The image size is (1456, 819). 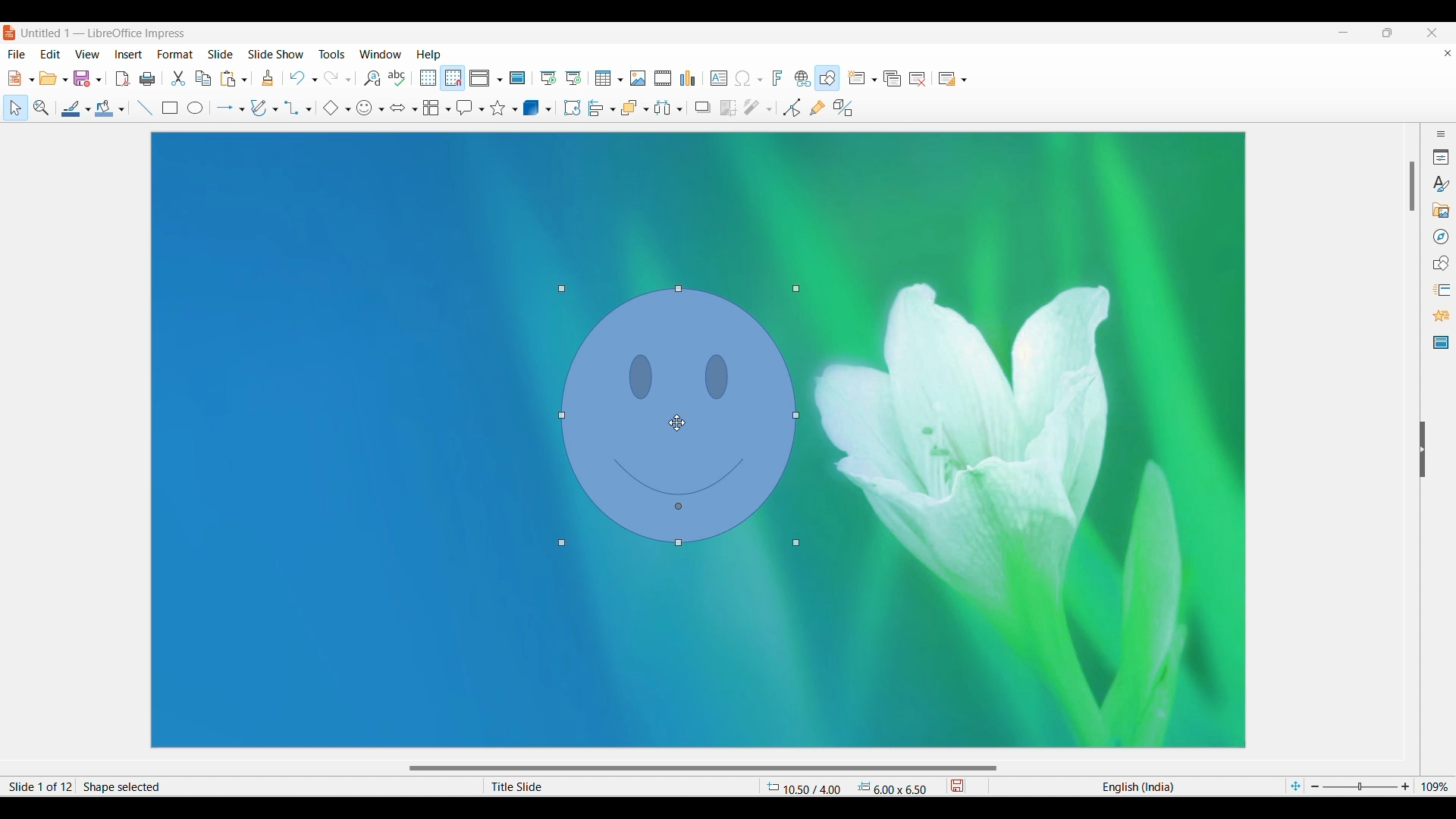 I want to click on Insert tabel, so click(x=609, y=78).